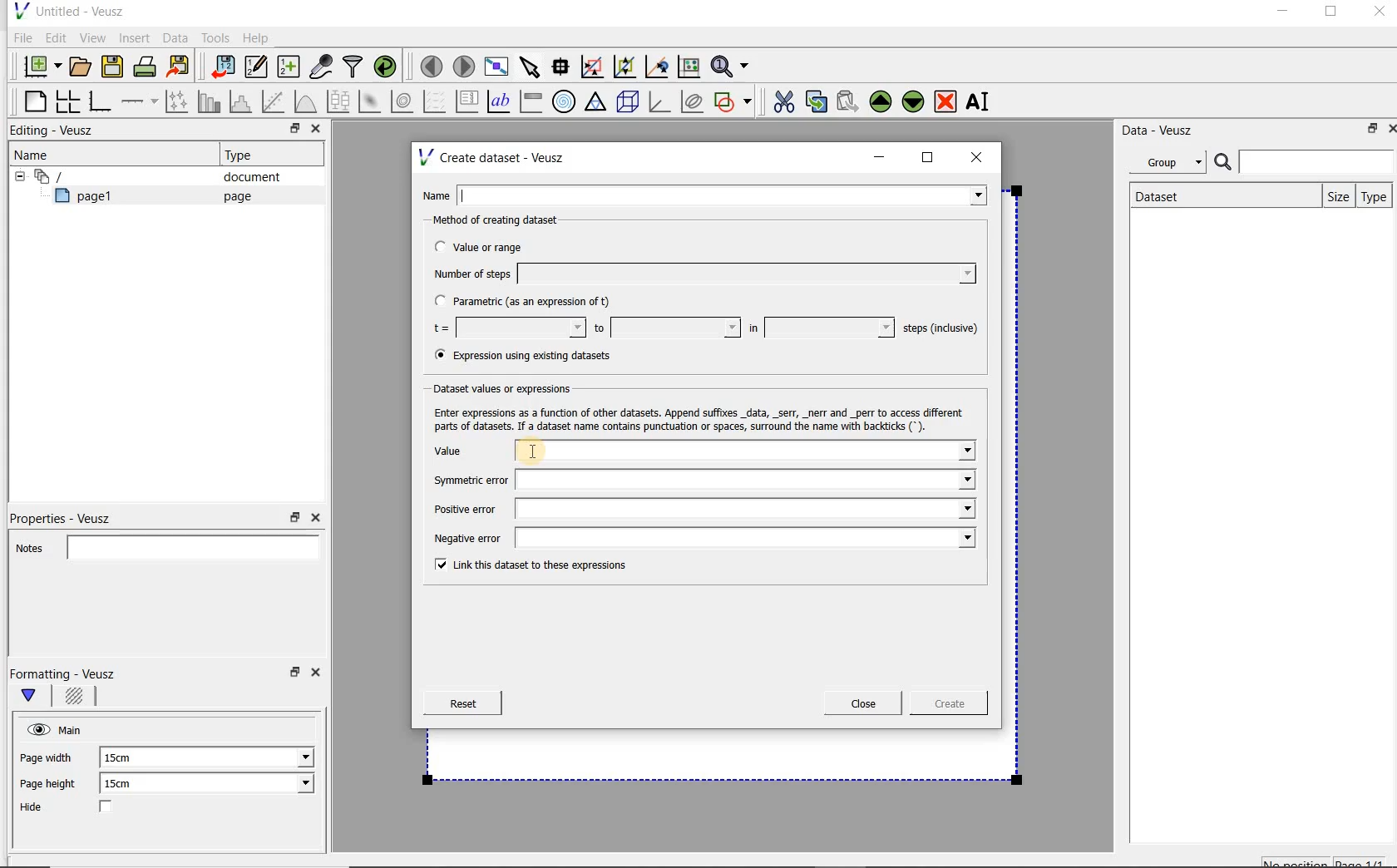  I want to click on Close, so click(1378, 14).